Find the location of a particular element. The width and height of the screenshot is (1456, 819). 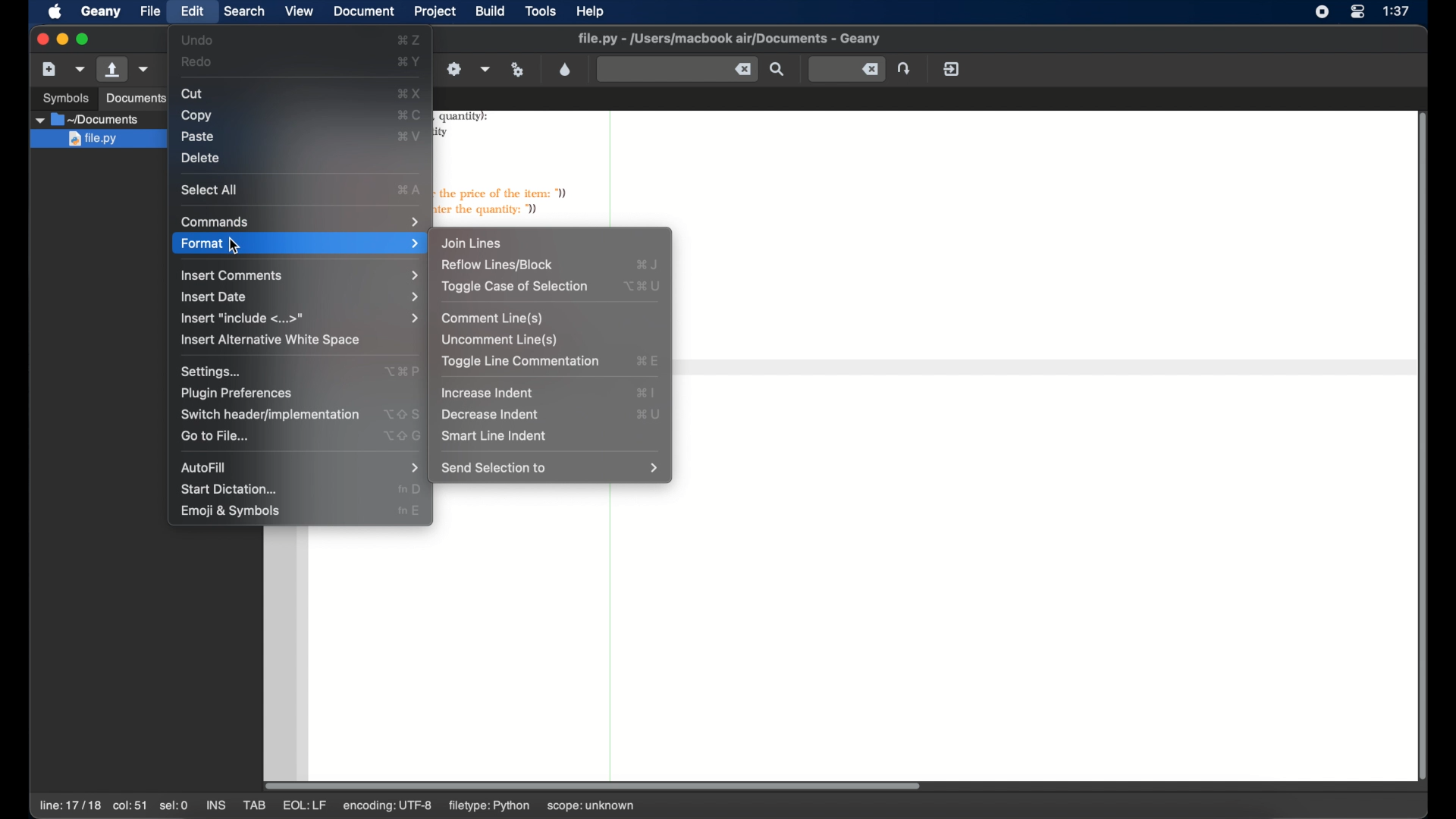

paste is located at coordinates (197, 137).